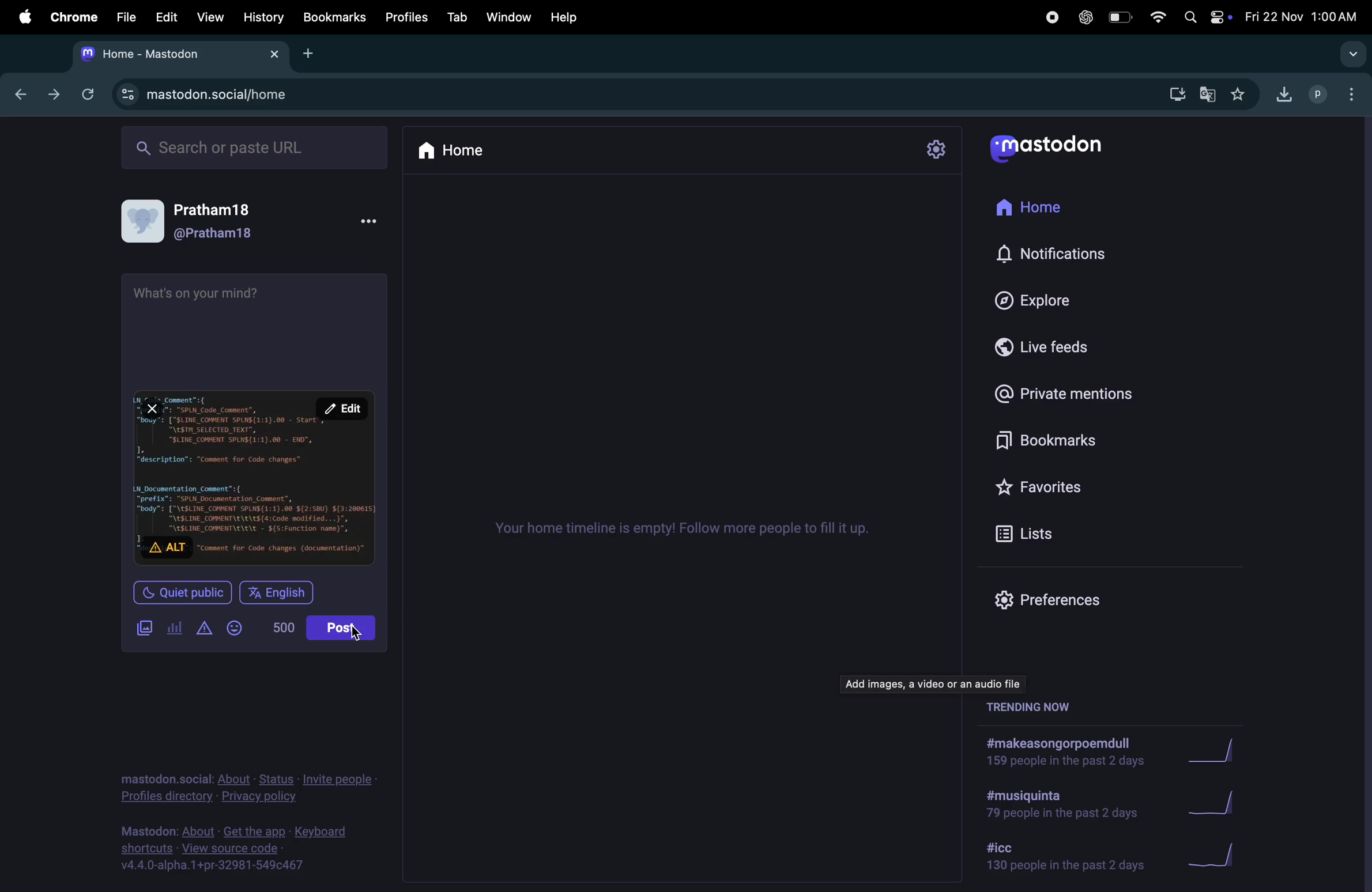  Describe the element at coordinates (178, 592) in the screenshot. I see `quiet public` at that location.